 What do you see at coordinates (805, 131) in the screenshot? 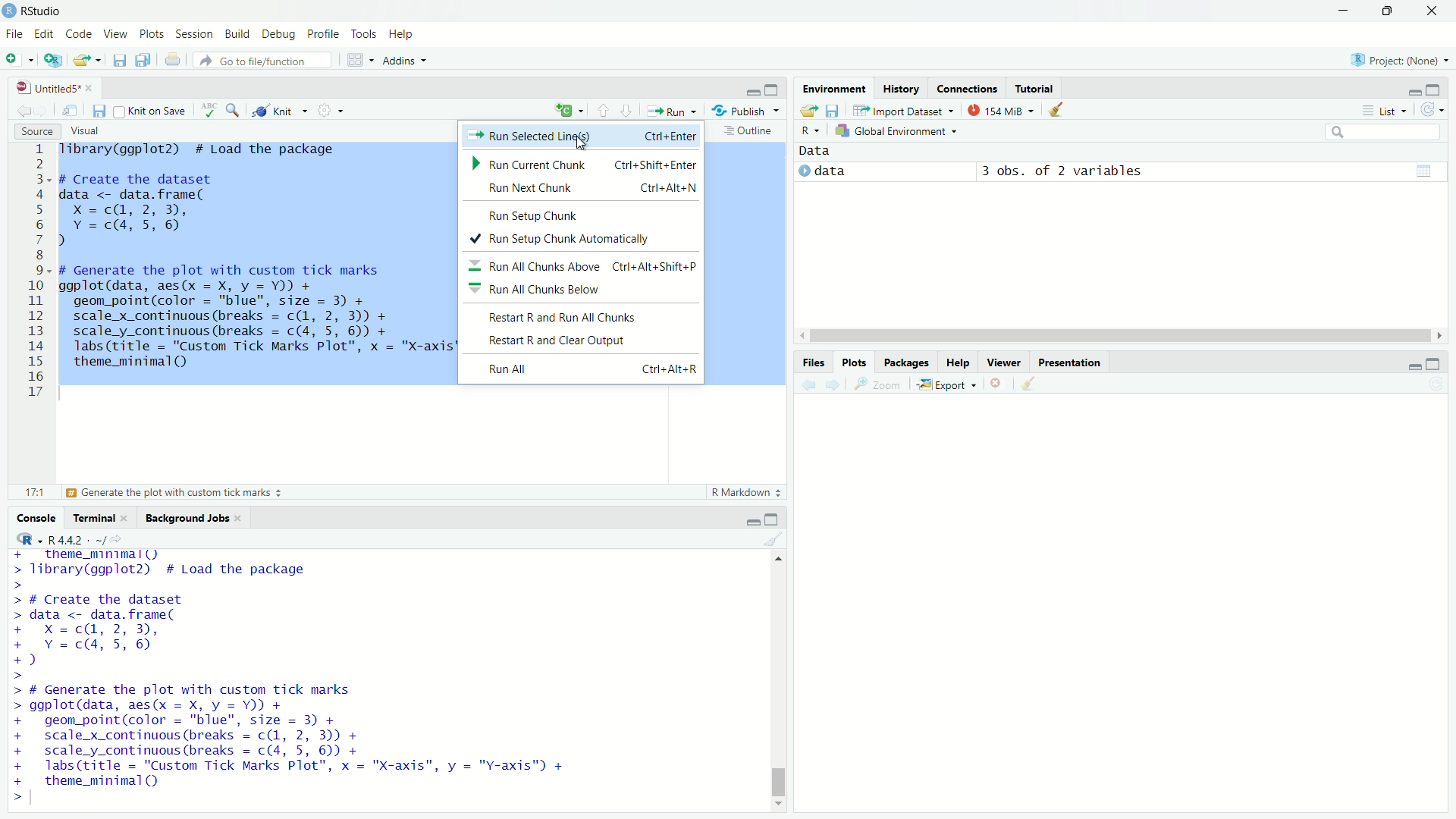
I see `select language` at bounding box center [805, 131].